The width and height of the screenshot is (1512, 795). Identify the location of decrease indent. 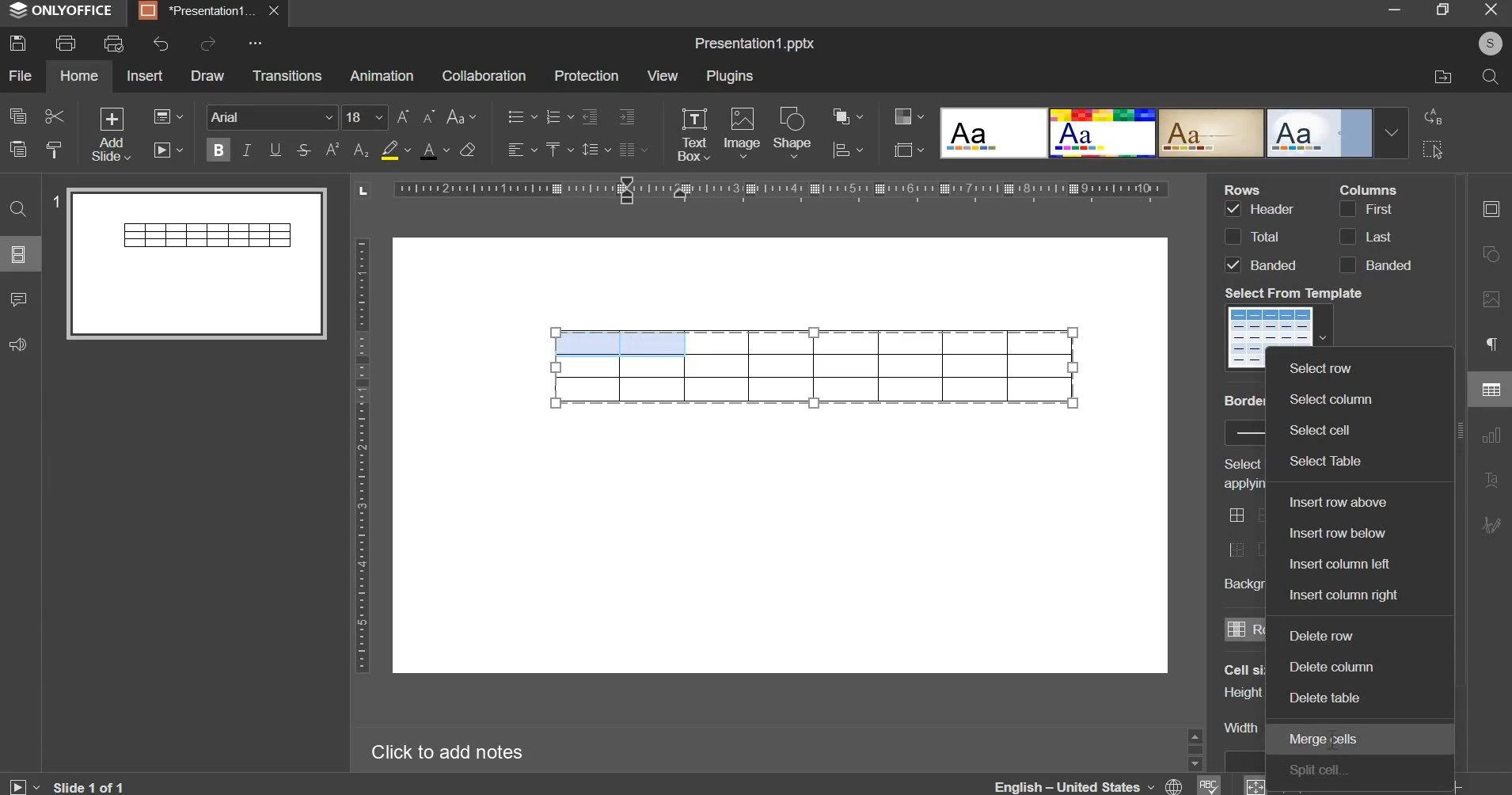
(589, 116).